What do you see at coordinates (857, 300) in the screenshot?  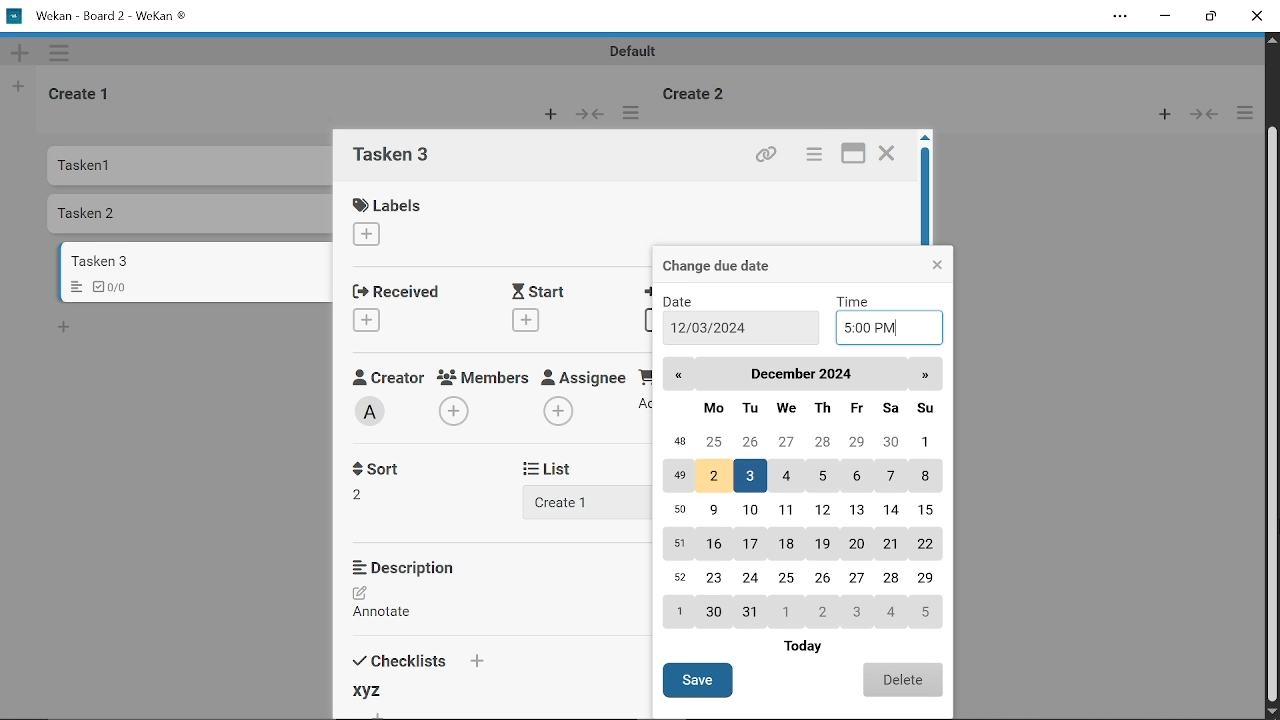 I see `TIme` at bounding box center [857, 300].